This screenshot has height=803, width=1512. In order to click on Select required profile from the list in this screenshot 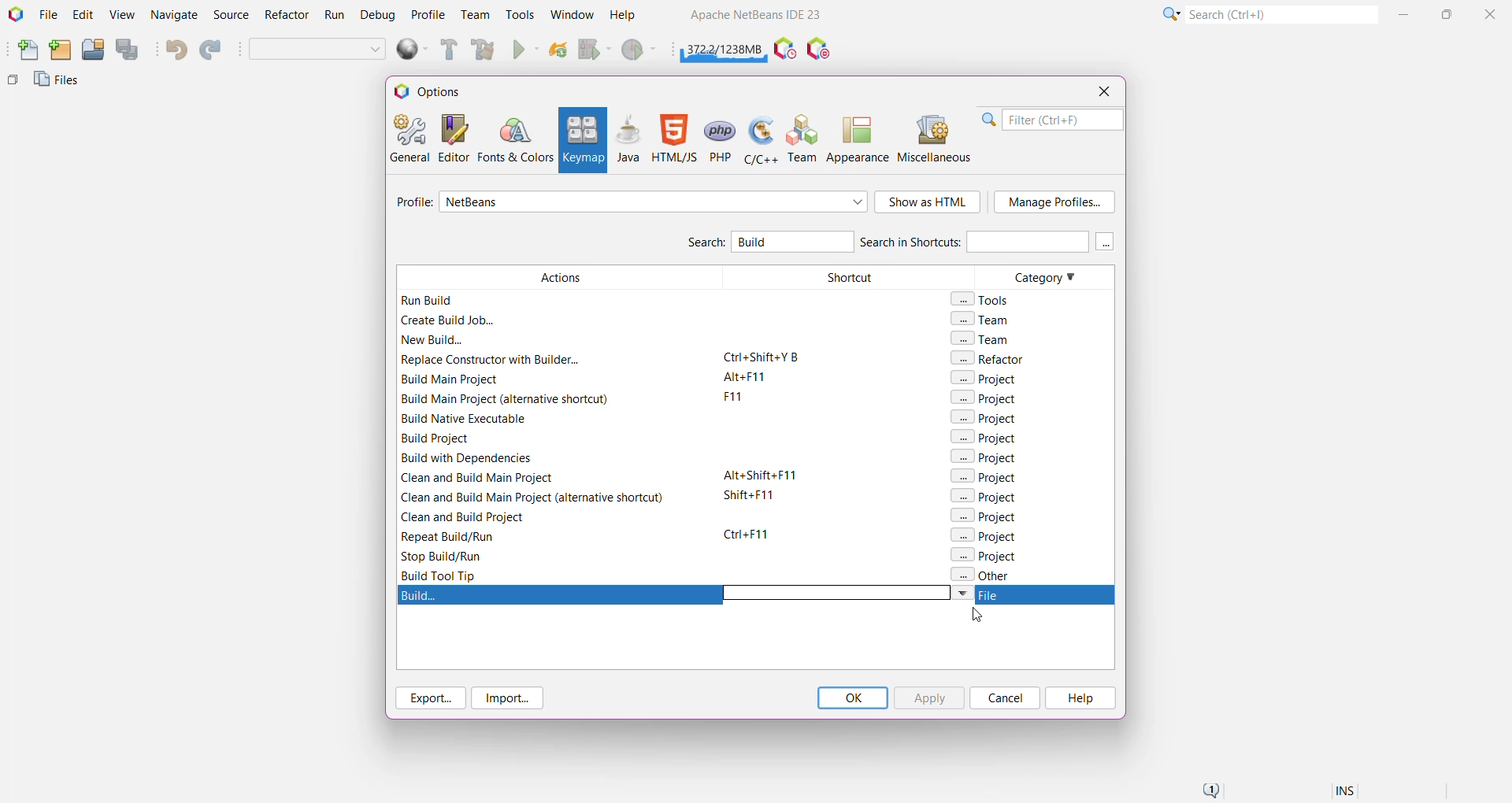, I will do `click(654, 202)`.